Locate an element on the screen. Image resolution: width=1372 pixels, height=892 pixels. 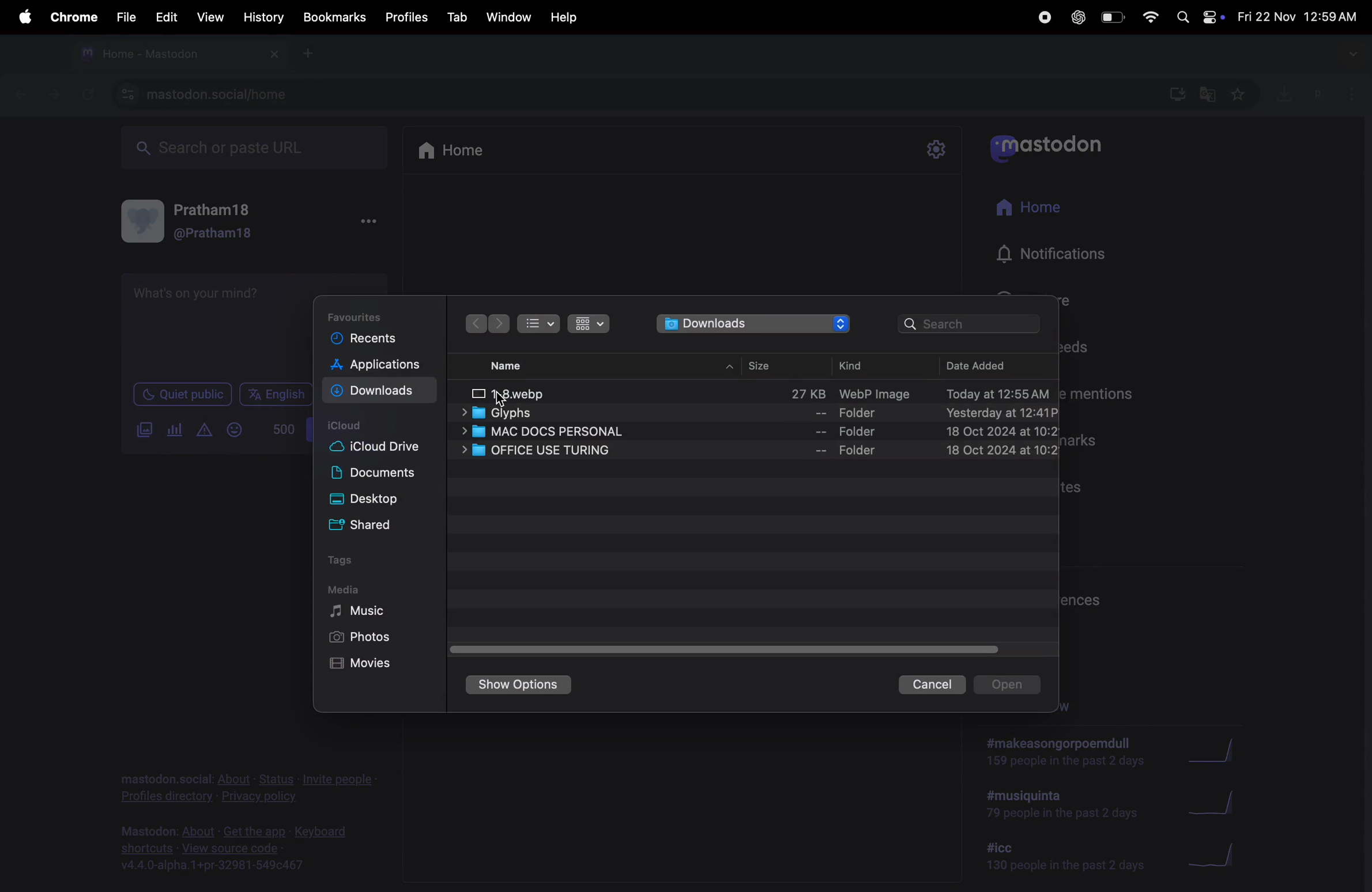
graphs is located at coordinates (1213, 852).